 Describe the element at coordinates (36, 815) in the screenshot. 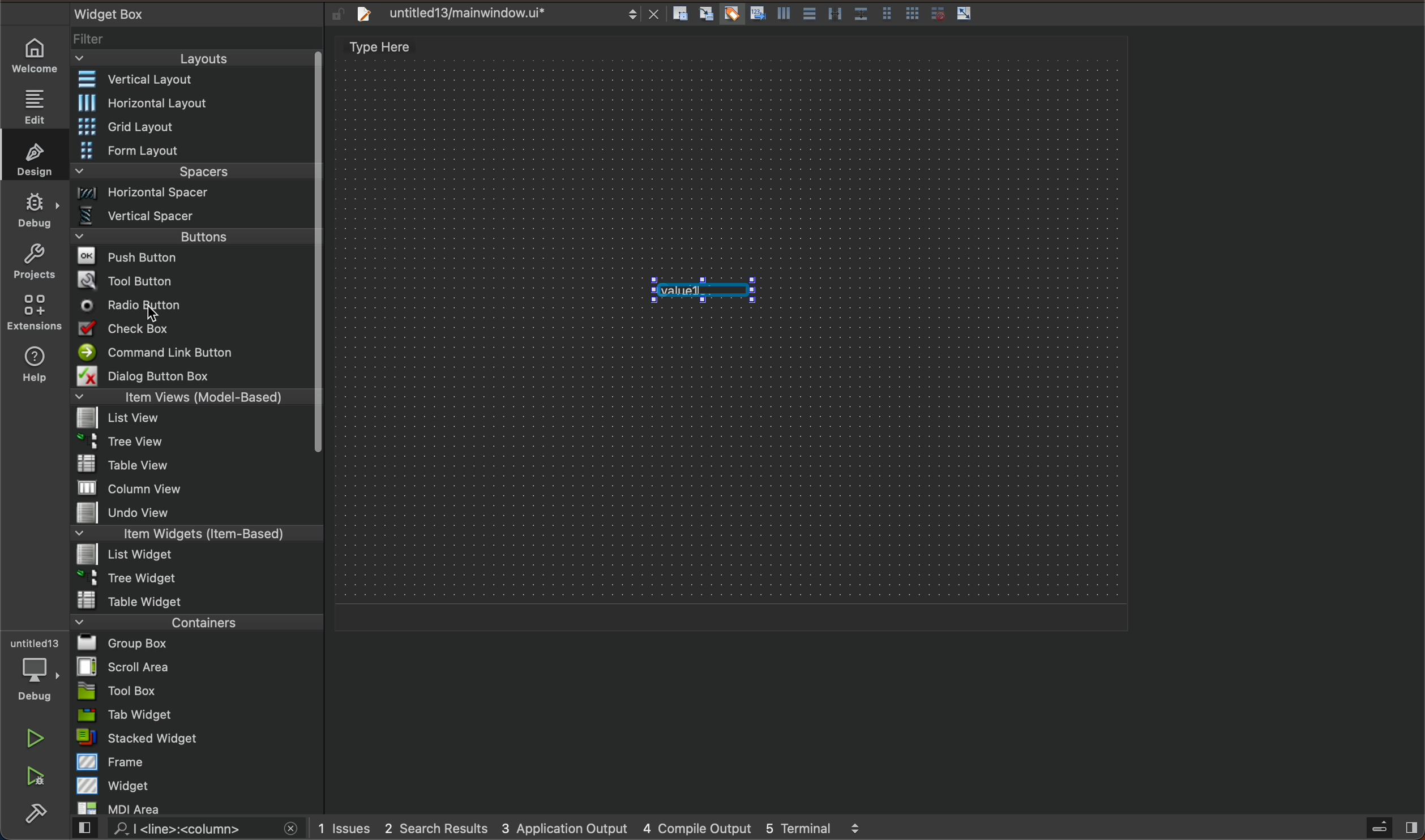

I see `build` at that location.